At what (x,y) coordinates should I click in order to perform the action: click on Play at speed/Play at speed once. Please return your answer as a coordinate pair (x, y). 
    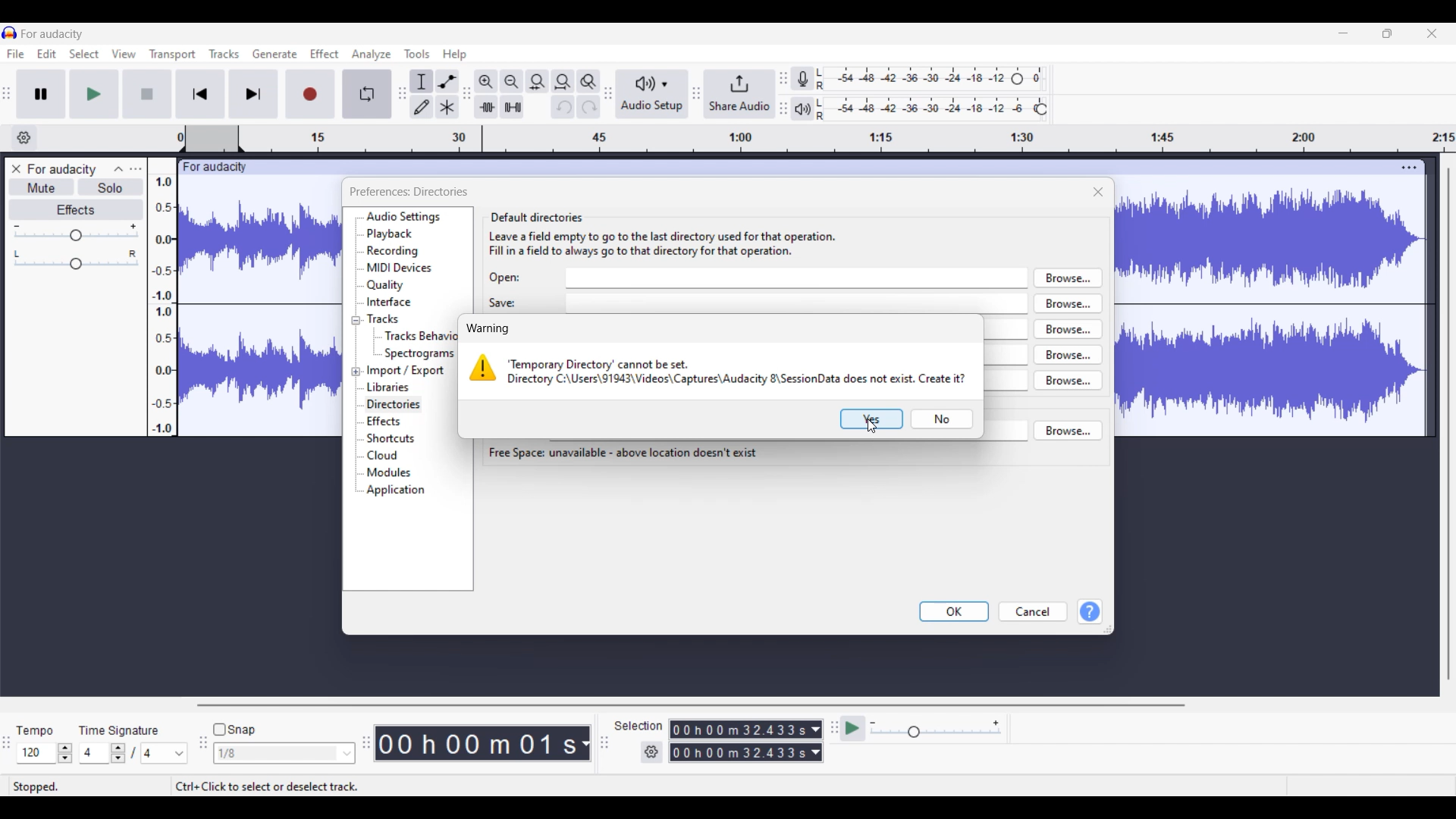
    Looking at the image, I should click on (853, 729).